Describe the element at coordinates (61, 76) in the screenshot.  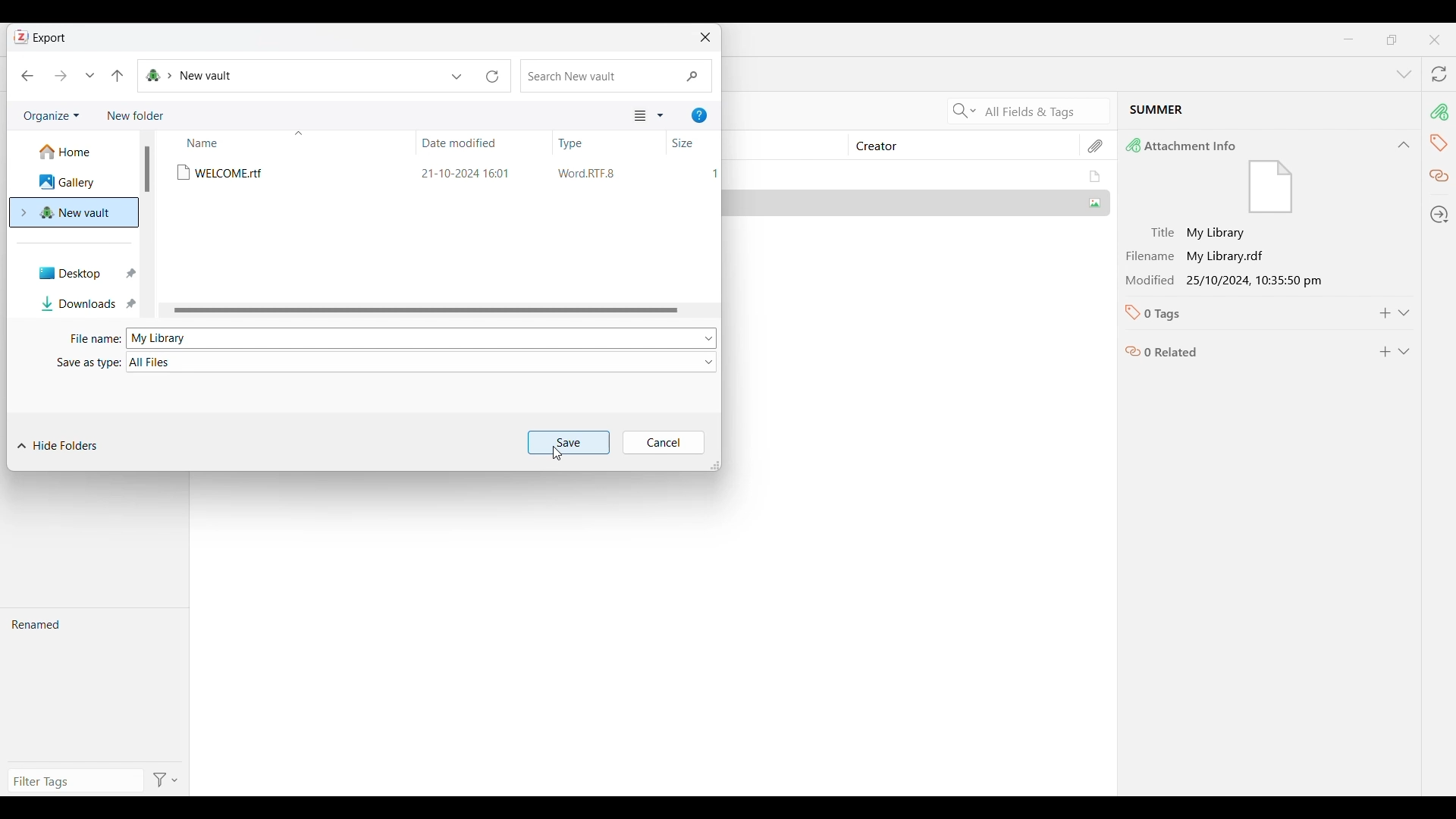
I see `Forward` at that location.